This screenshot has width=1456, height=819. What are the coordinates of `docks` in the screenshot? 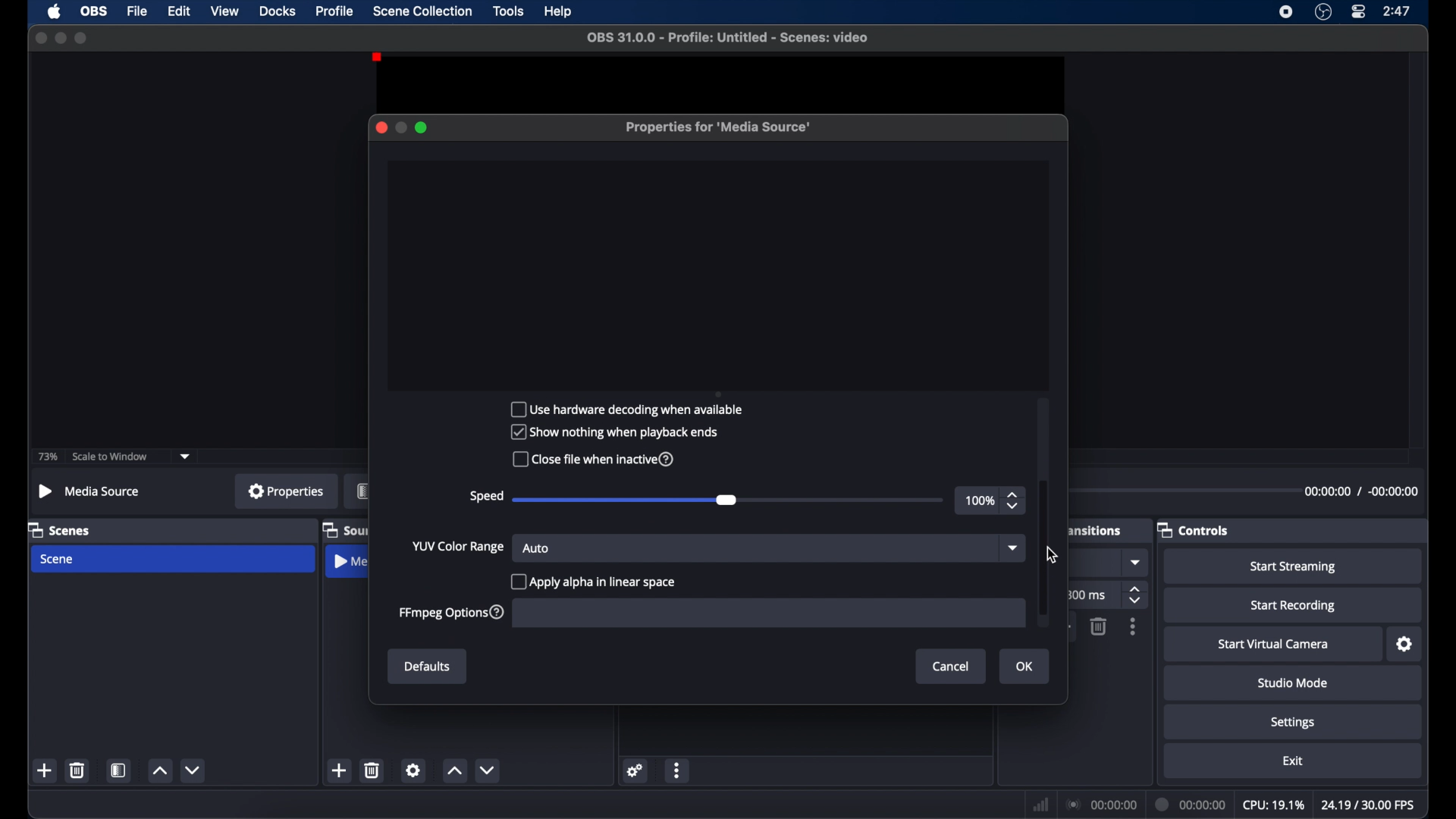 It's located at (278, 11).